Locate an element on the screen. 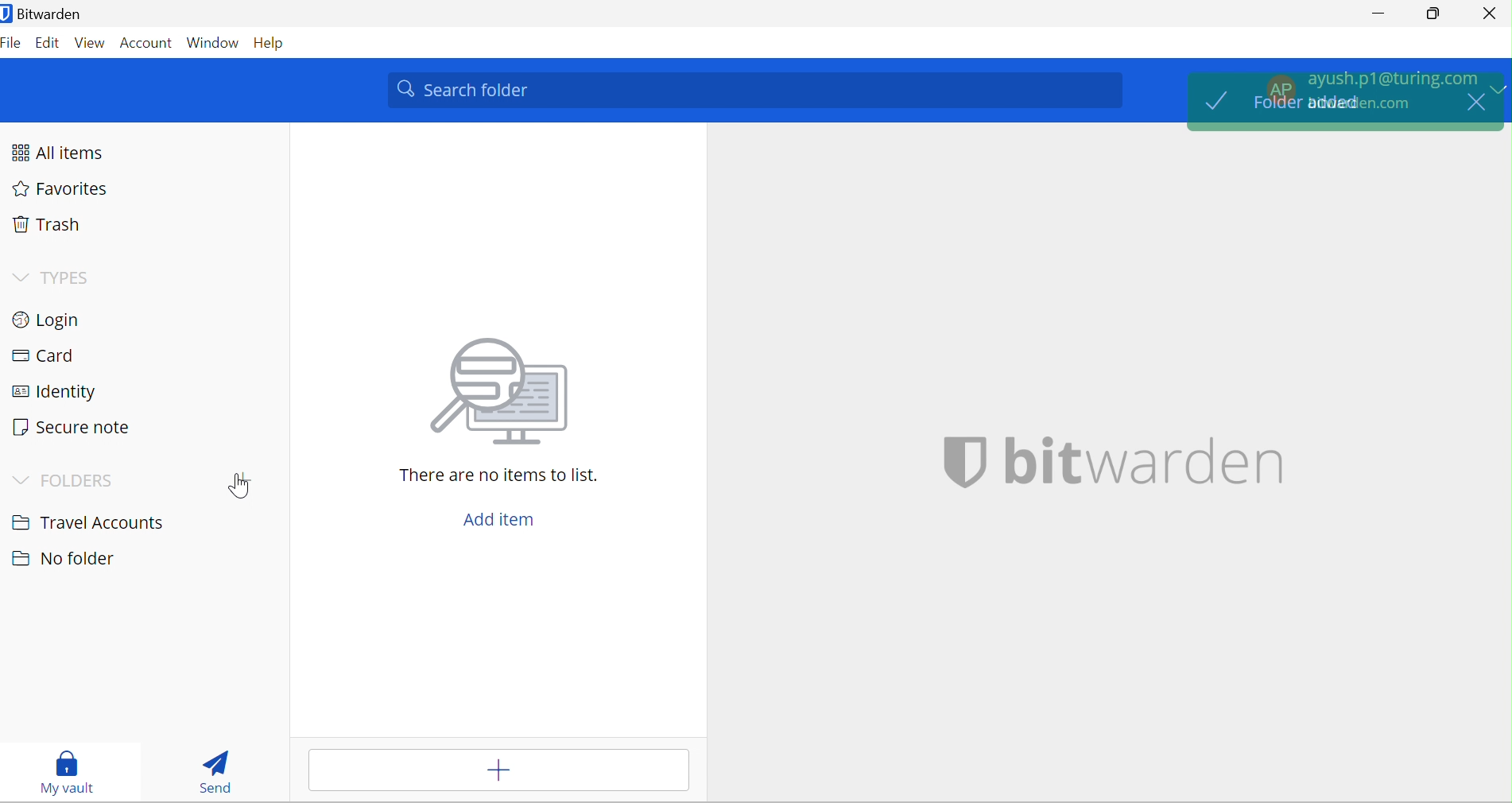  Account is located at coordinates (145, 41).